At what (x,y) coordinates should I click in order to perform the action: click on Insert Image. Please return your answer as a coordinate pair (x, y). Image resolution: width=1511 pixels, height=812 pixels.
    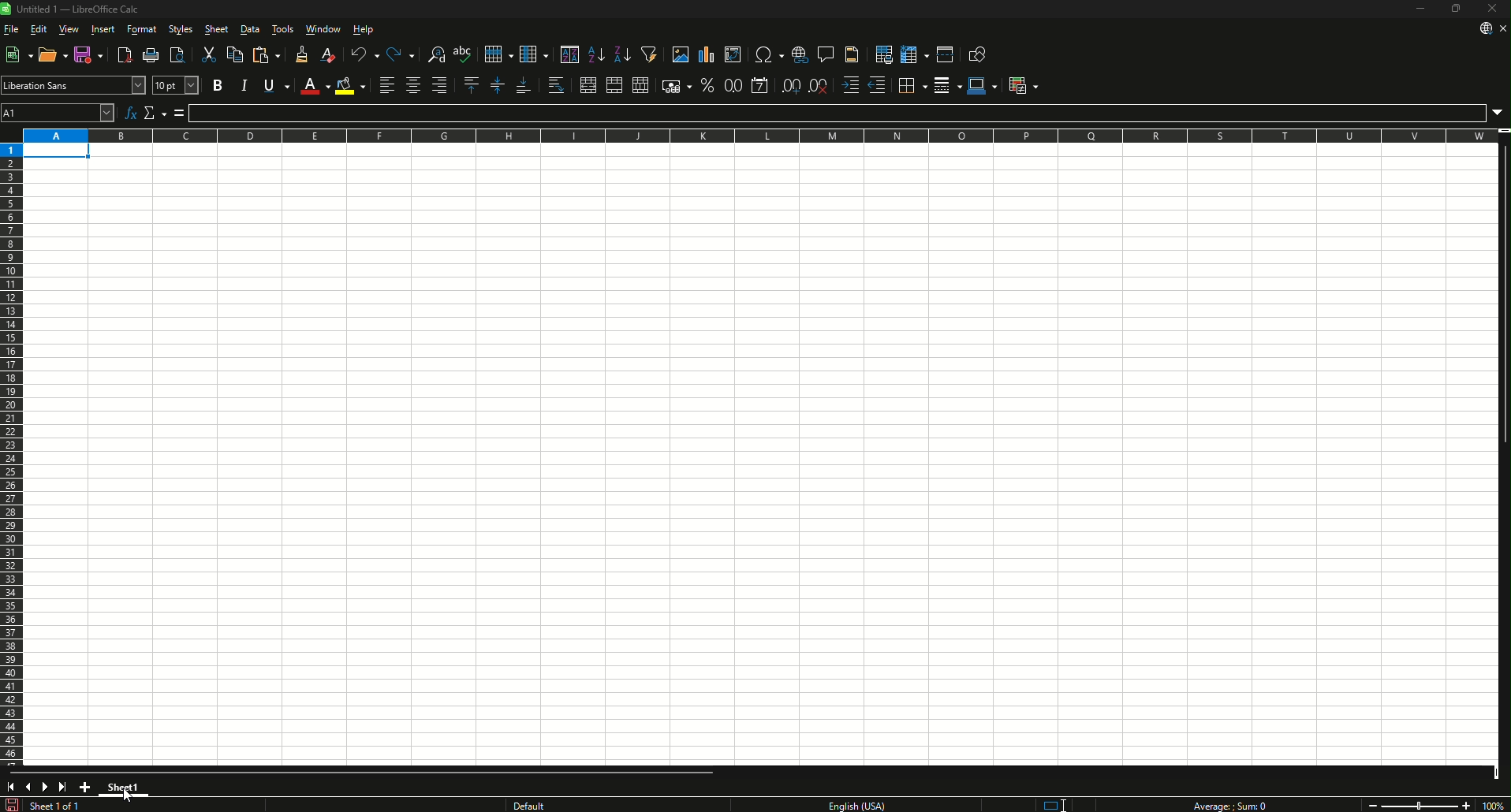
    Looking at the image, I should click on (680, 54).